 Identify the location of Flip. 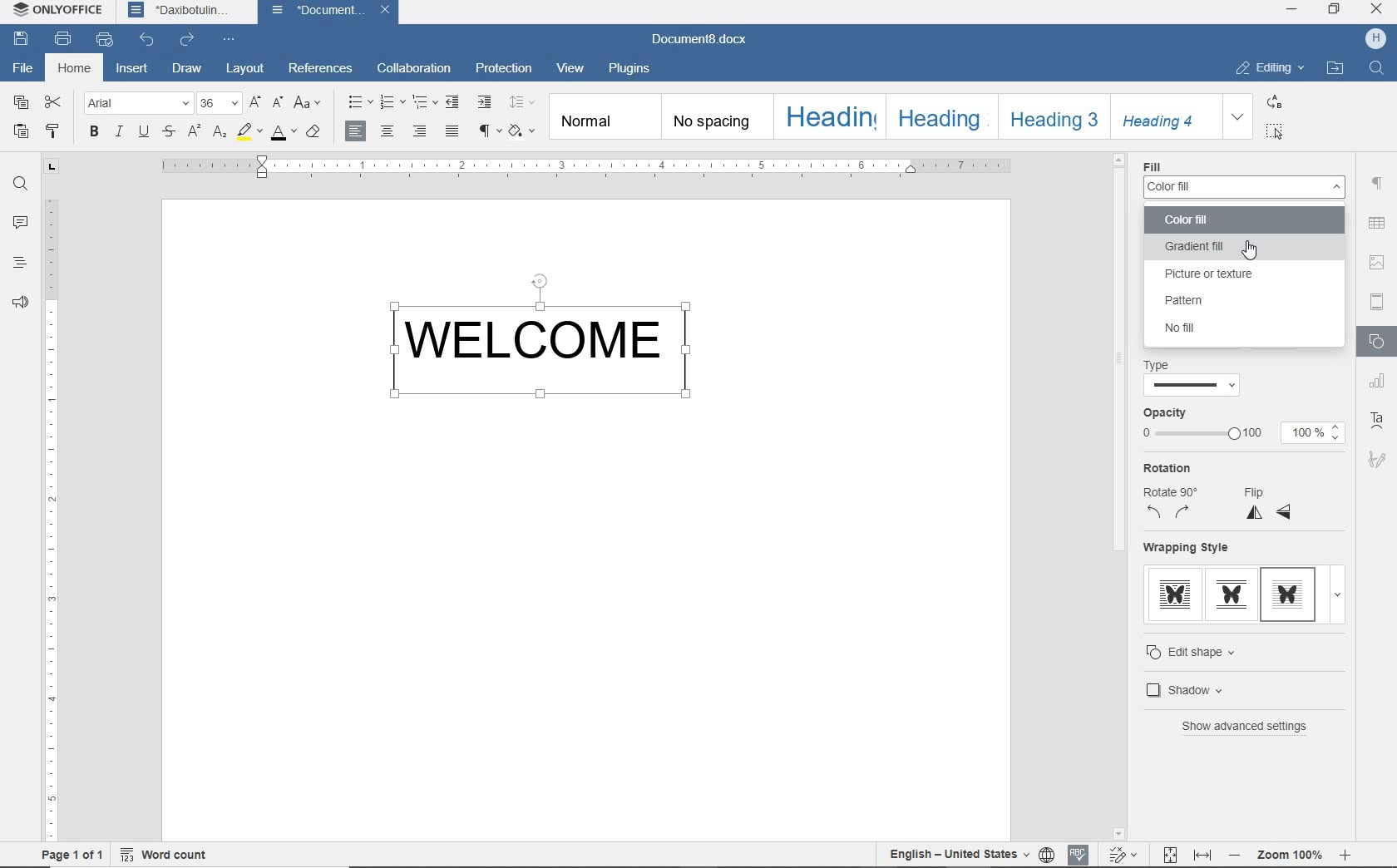
(1257, 491).